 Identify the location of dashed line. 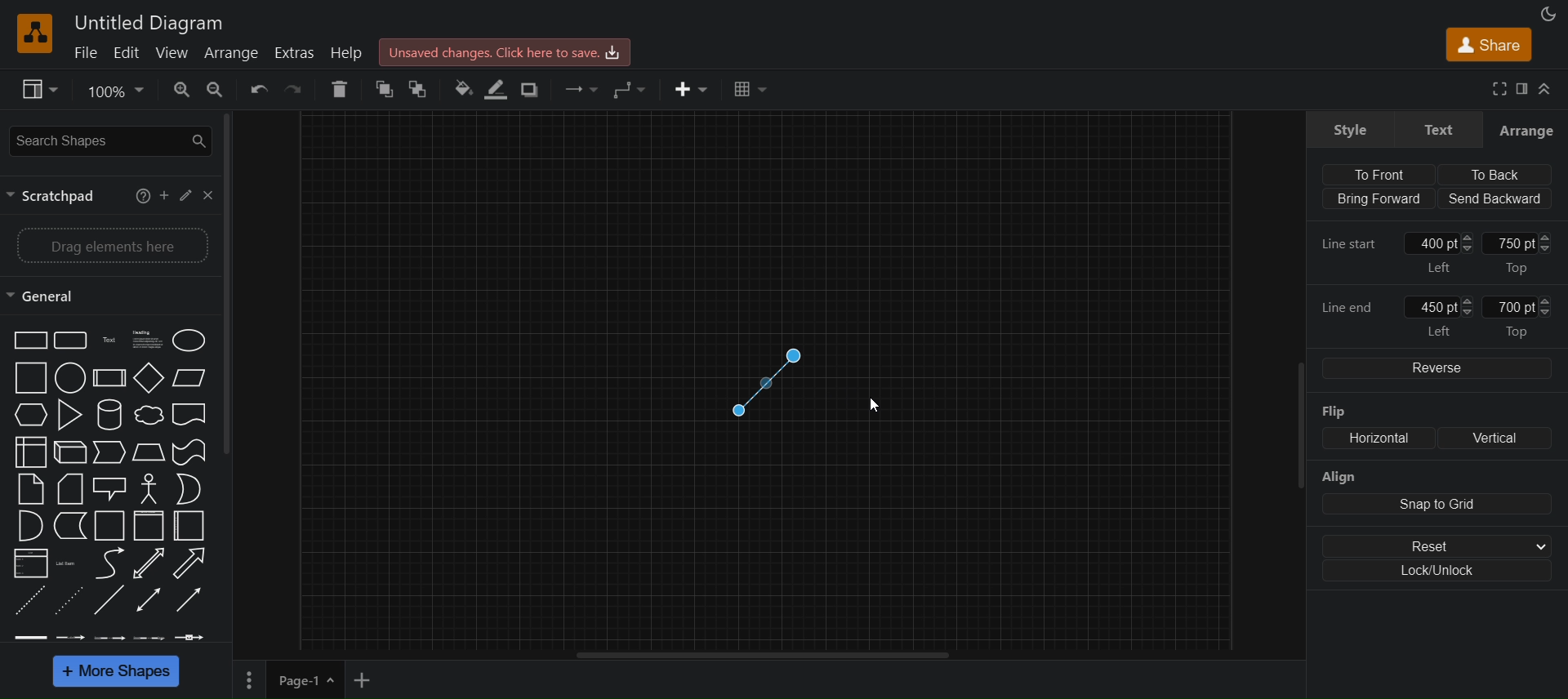
(25, 602).